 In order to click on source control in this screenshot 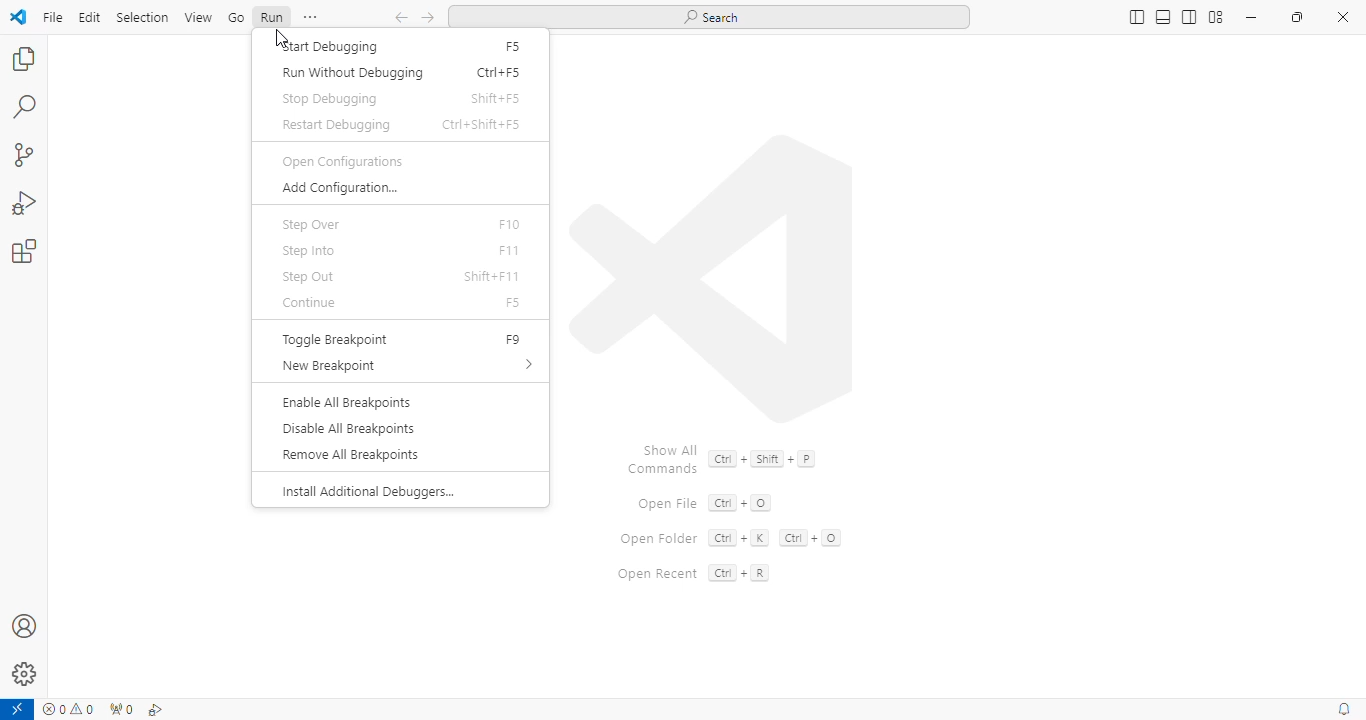, I will do `click(24, 156)`.